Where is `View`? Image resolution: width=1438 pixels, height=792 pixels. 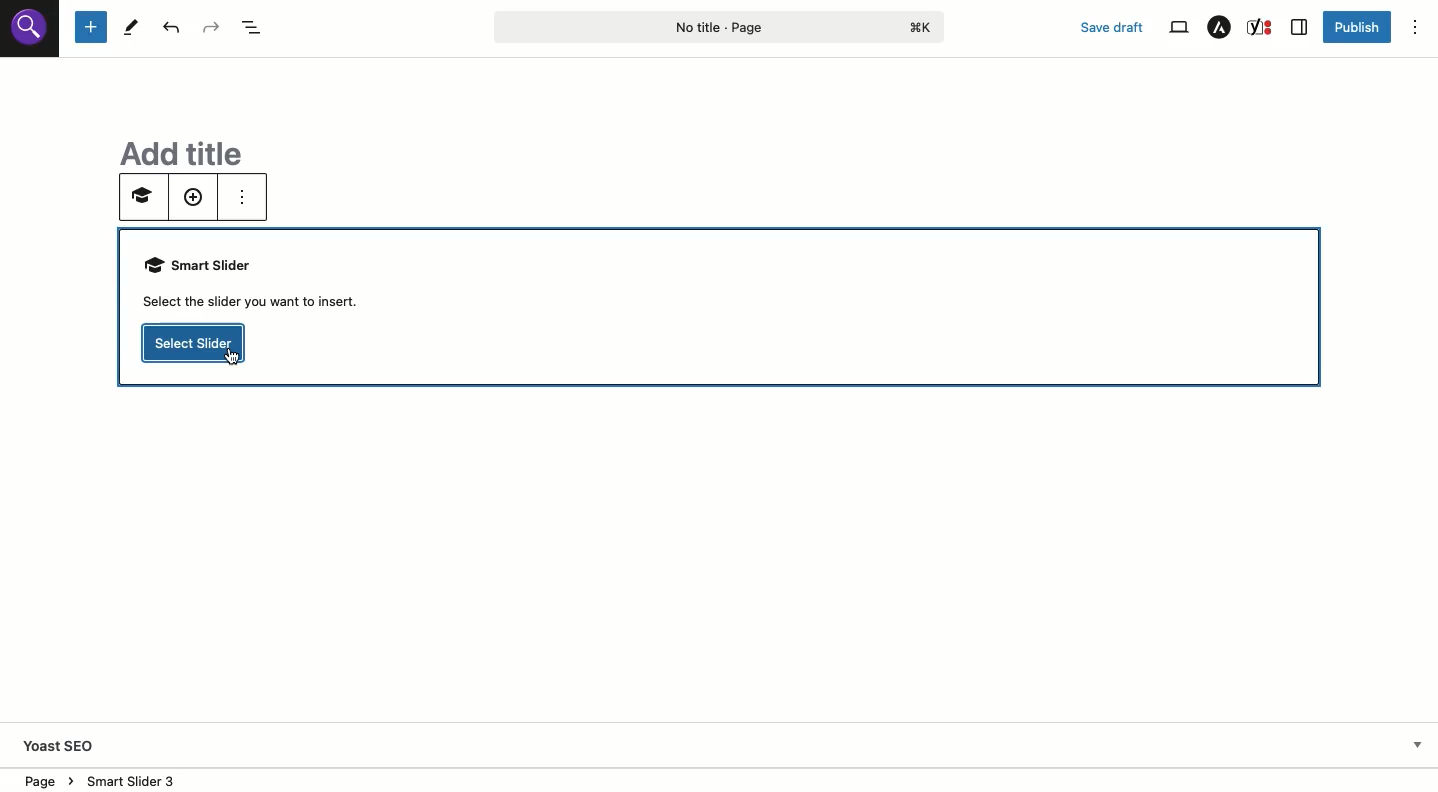 View is located at coordinates (1178, 28).